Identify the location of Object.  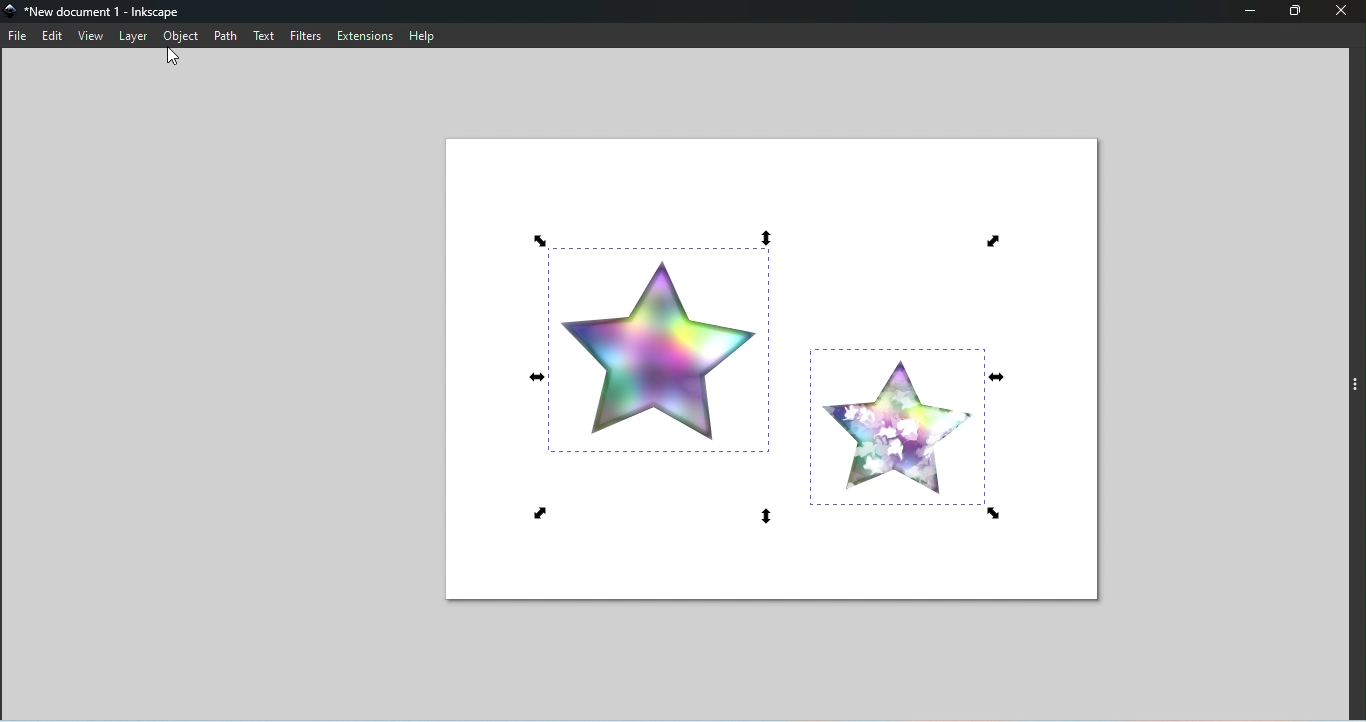
(185, 35).